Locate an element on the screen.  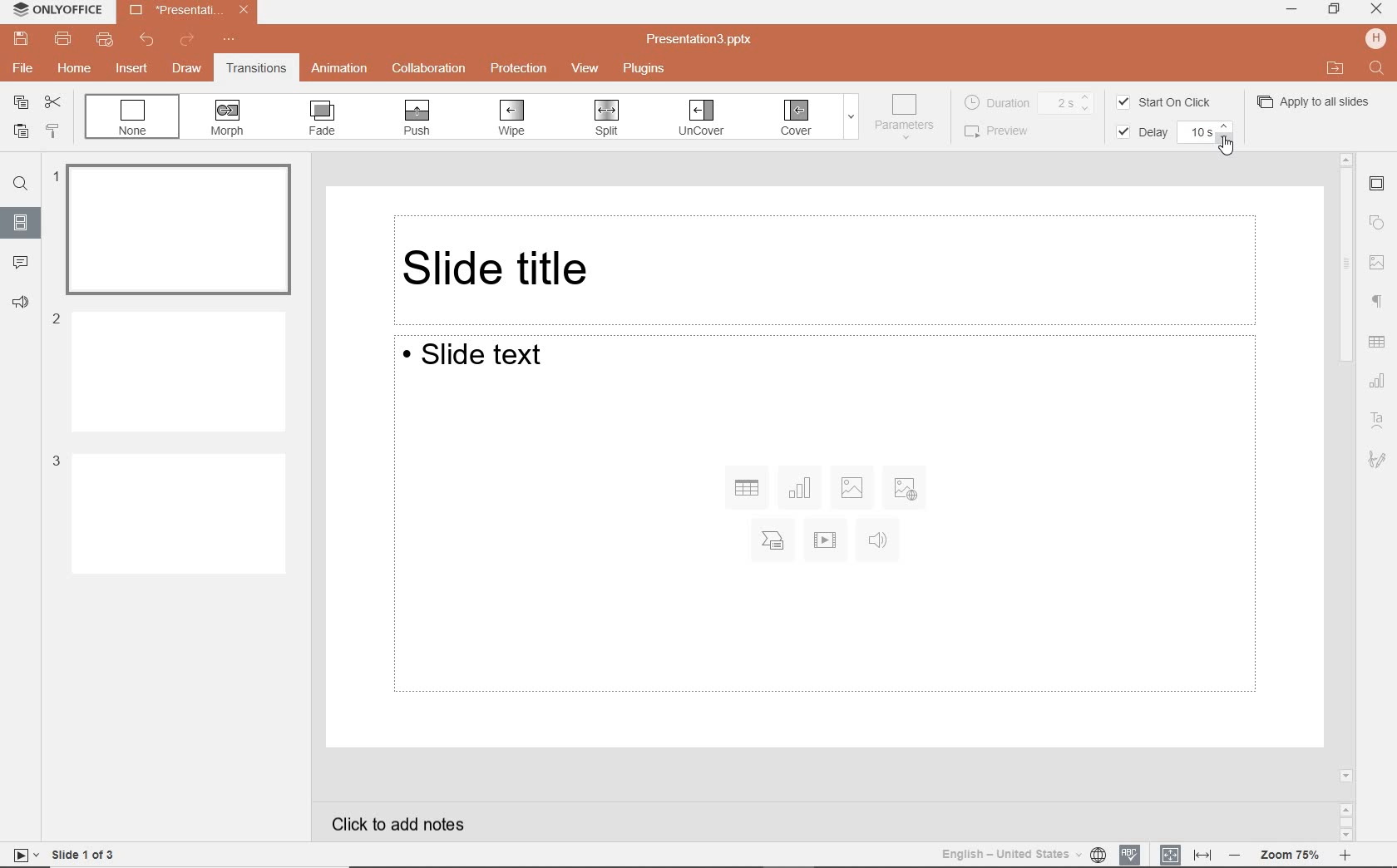
chart settings is located at coordinates (1377, 381).